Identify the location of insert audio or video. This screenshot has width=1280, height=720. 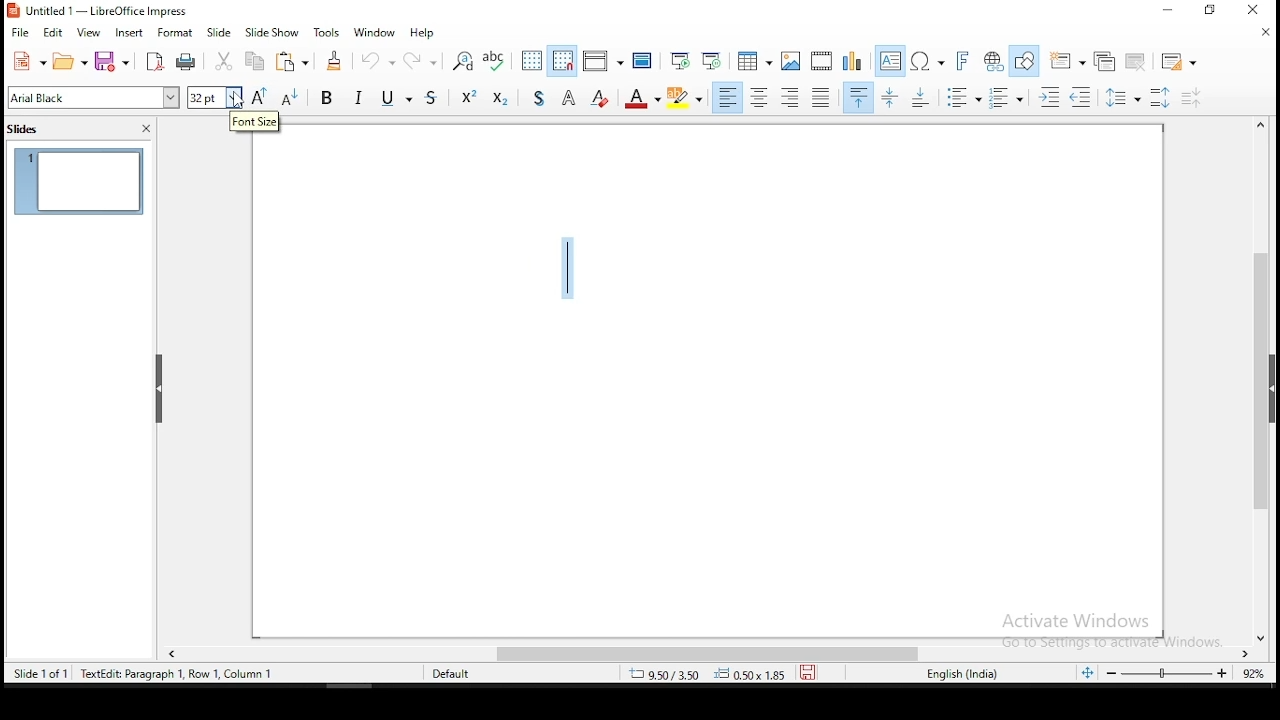
(823, 59).